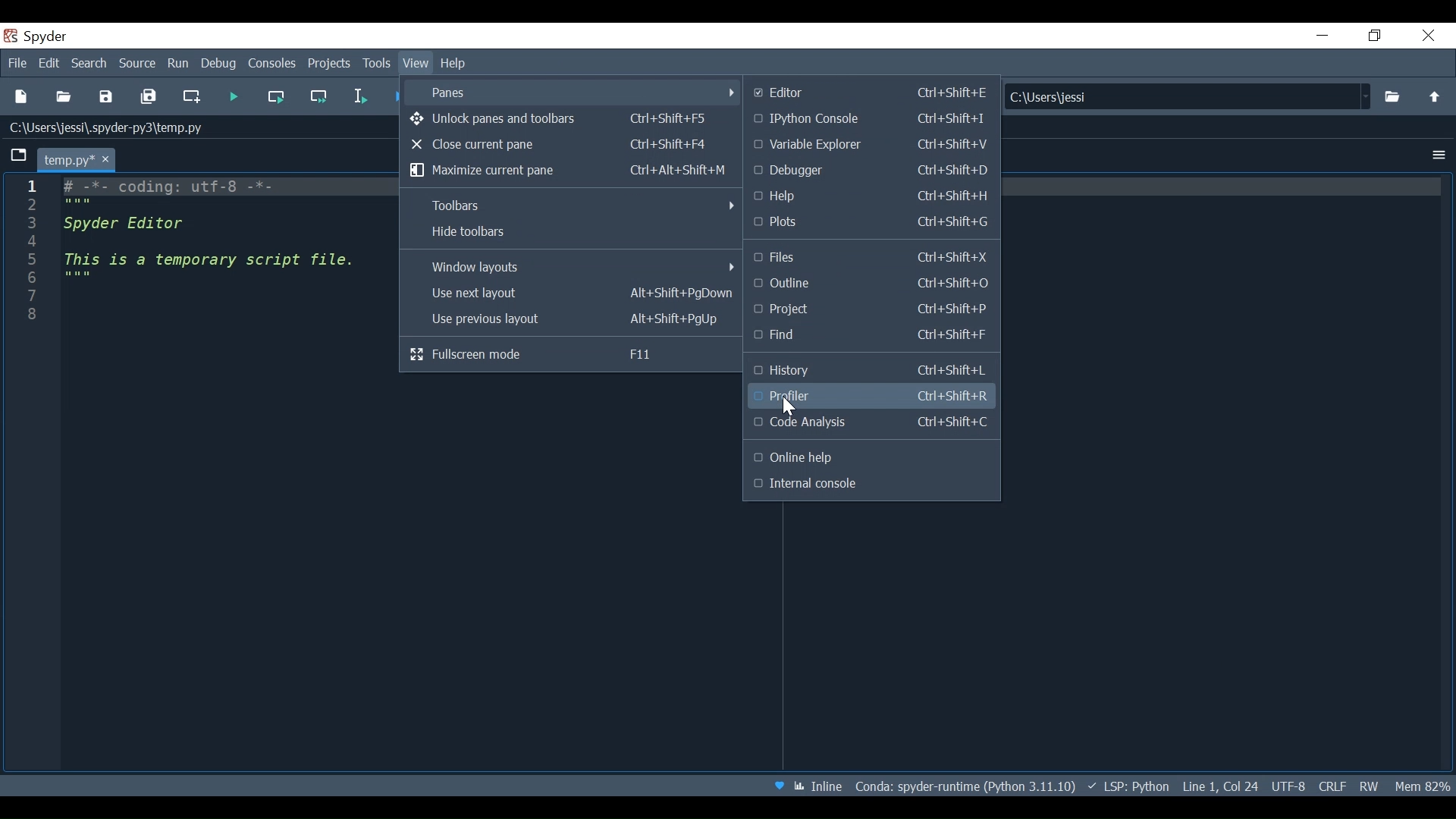 The height and width of the screenshot is (819, 1456). Describe the element at coordinates (572, 93) in the screenshot. I see `Panes` at that location.